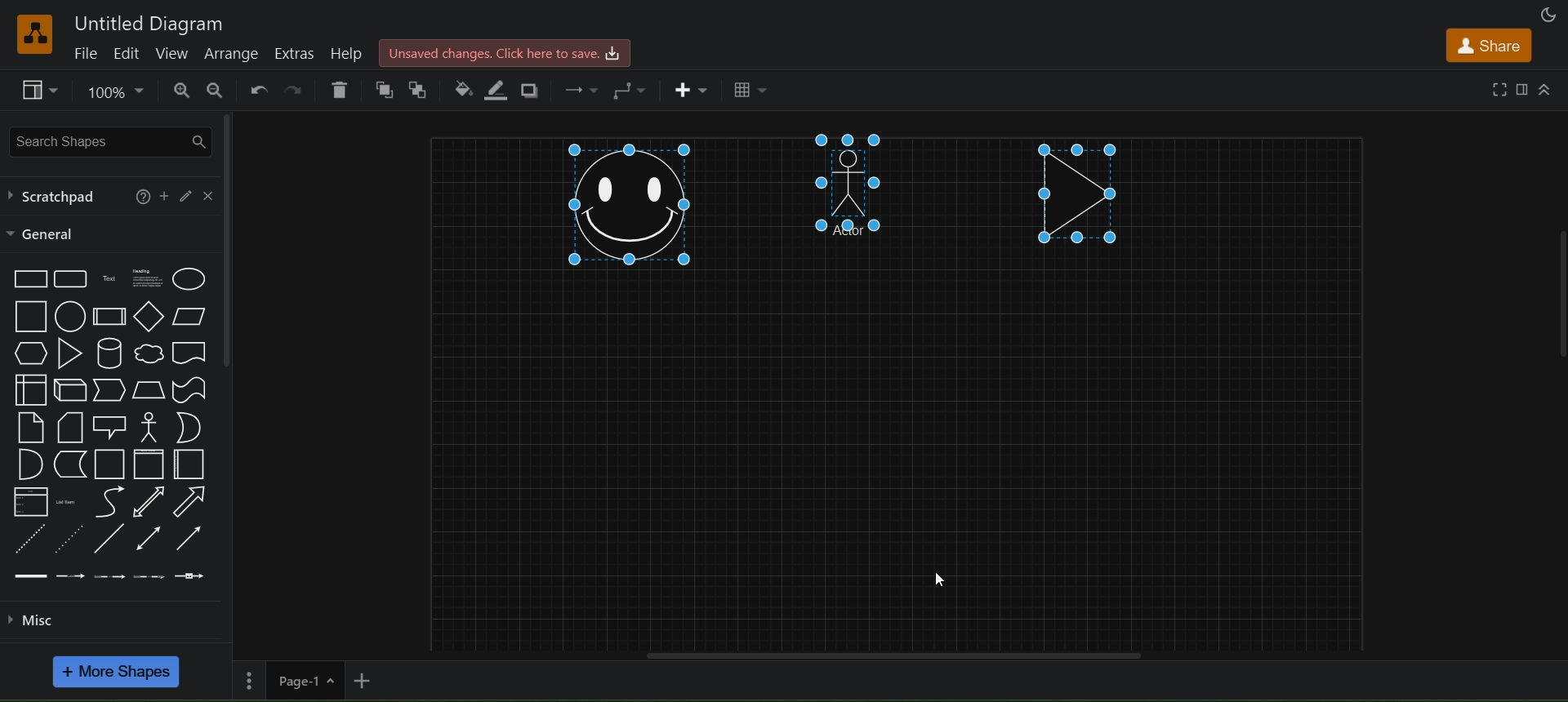  Describe the element at coordinates (367, 681) in the screenshot. I see `add new page` at that location.